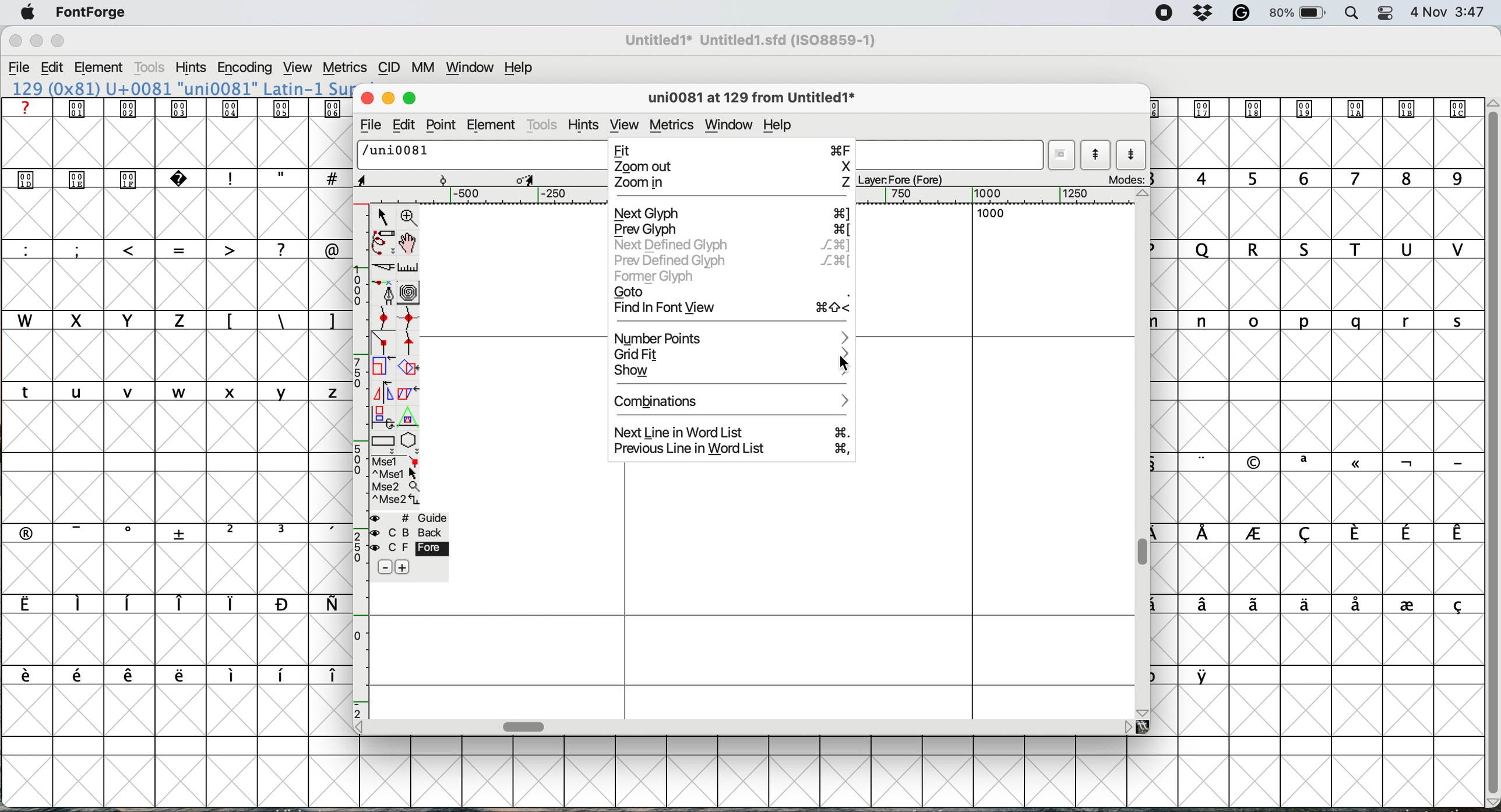  I want to click on rectangles and ellipses, so click(383, 441).